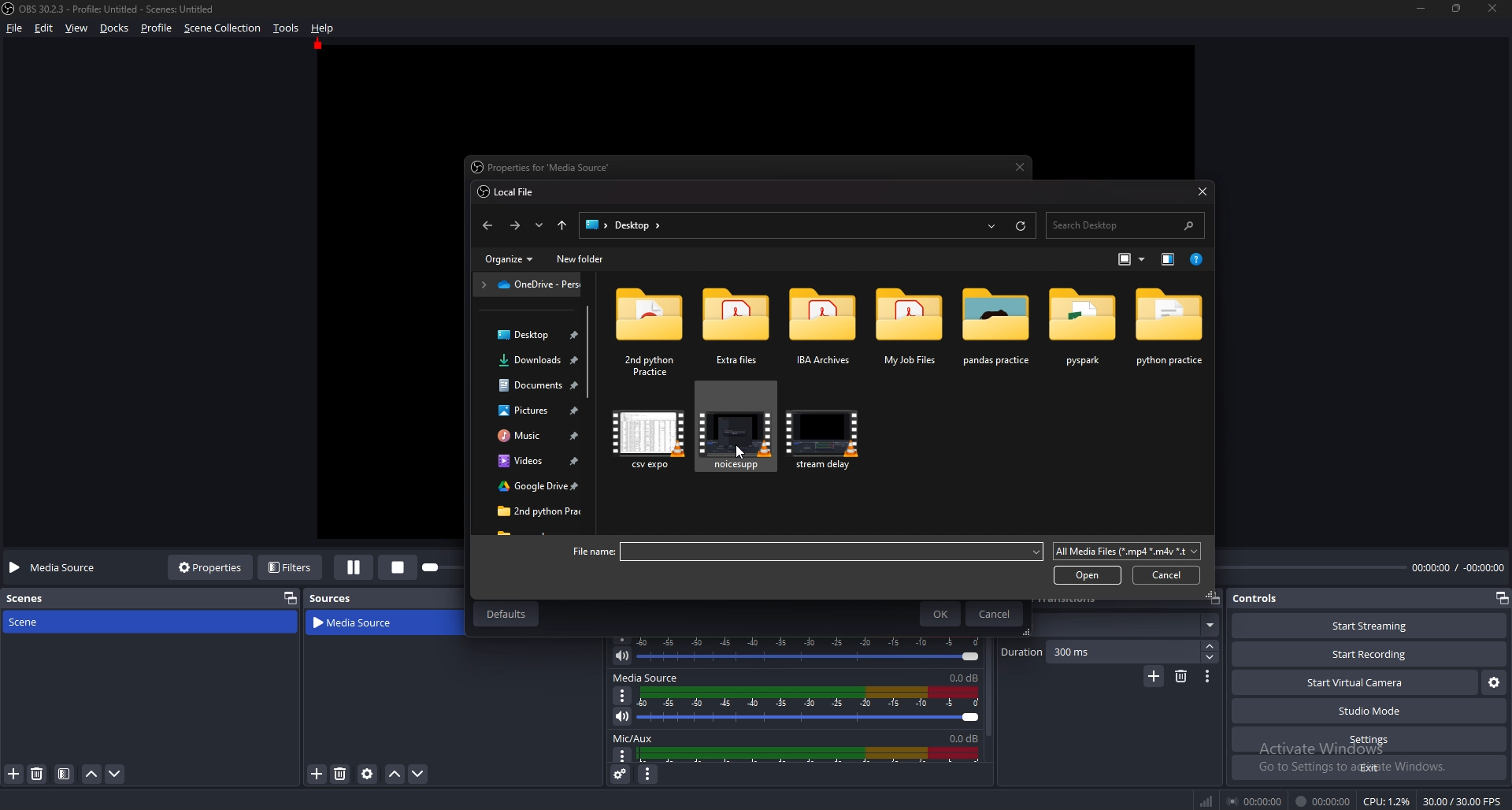 The width and height of the screenshot is (1512, 810). I want to click on virtual camera settings, so click(1493, 682).